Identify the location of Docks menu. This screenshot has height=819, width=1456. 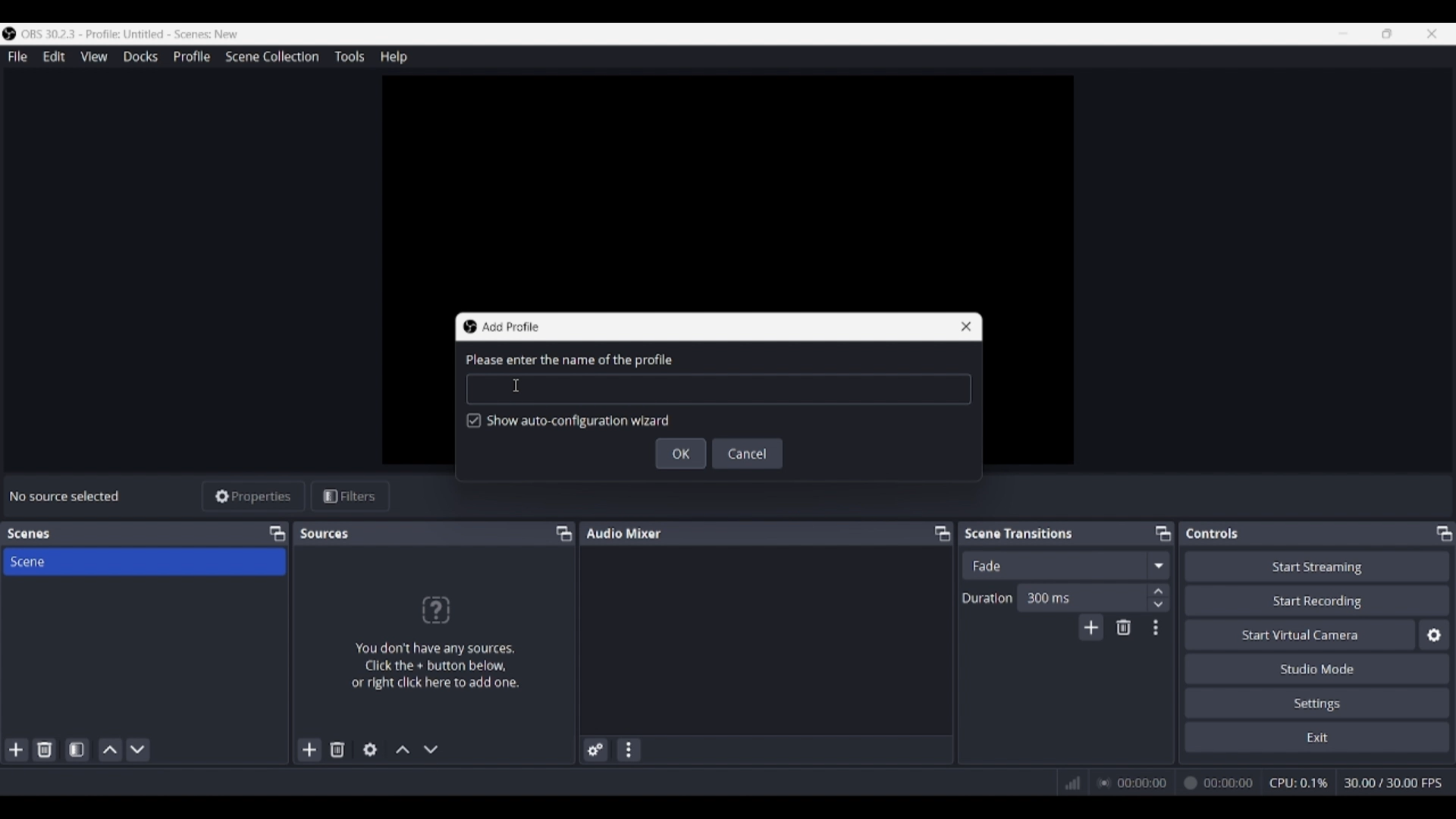
(140, 57).